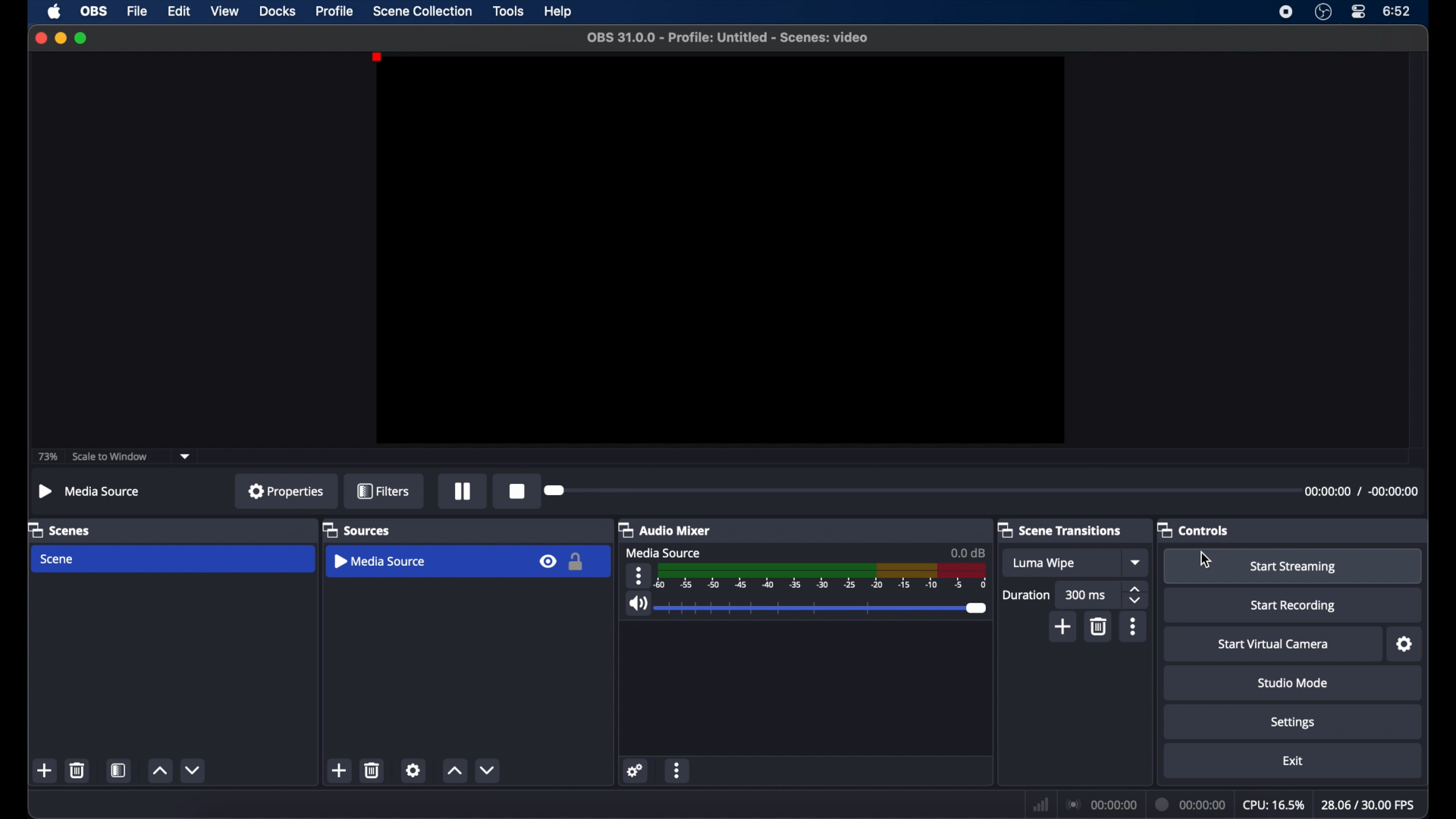 The image size is (1456, 819). Describe the element at coordinates (463, 491) in the screenshot. I see `pause` at that location.